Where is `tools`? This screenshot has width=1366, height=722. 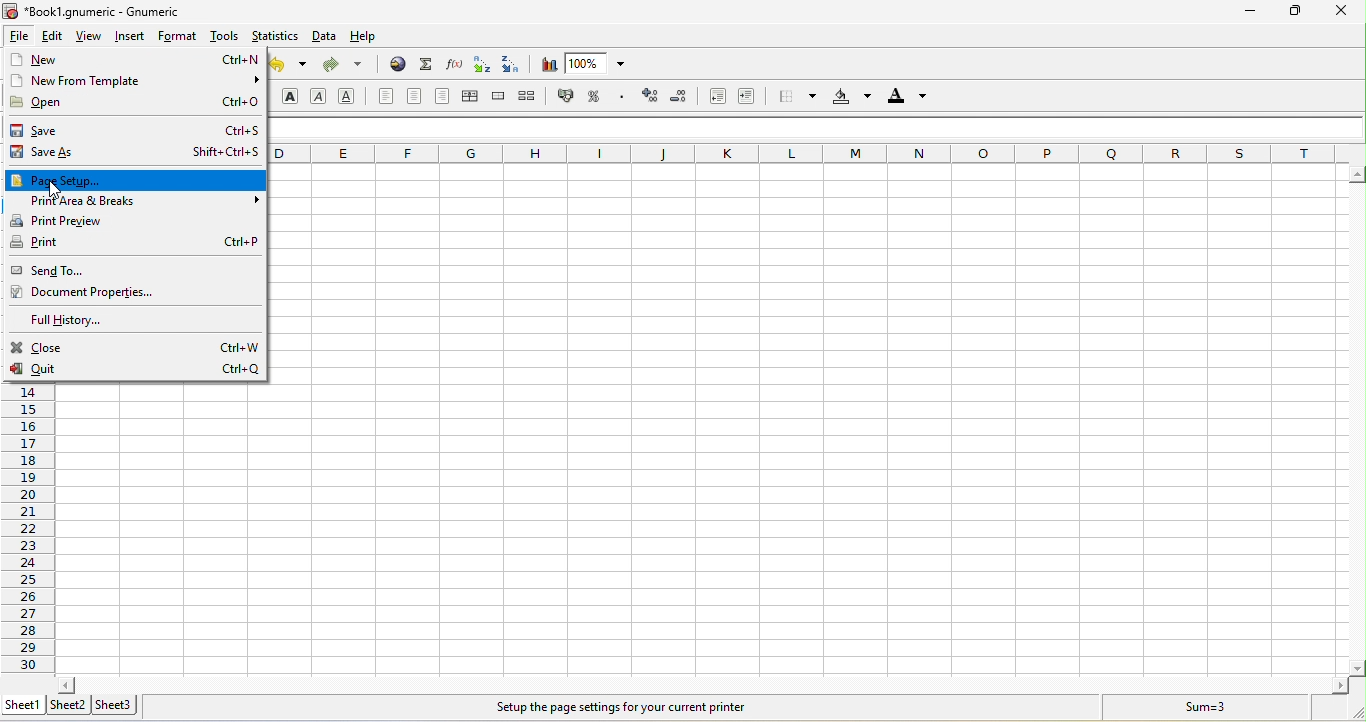
tools is located at coordinates (223, 38).